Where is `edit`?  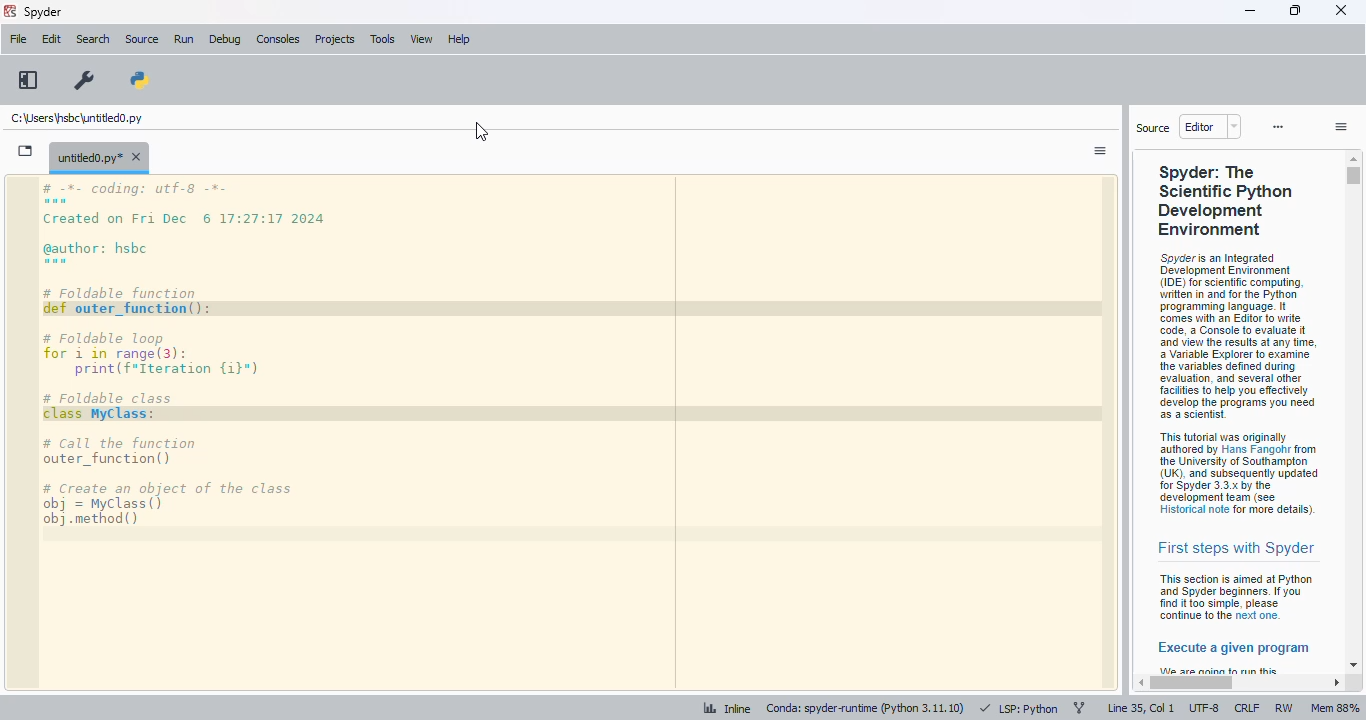
edit is located at coordinates (52, 38).